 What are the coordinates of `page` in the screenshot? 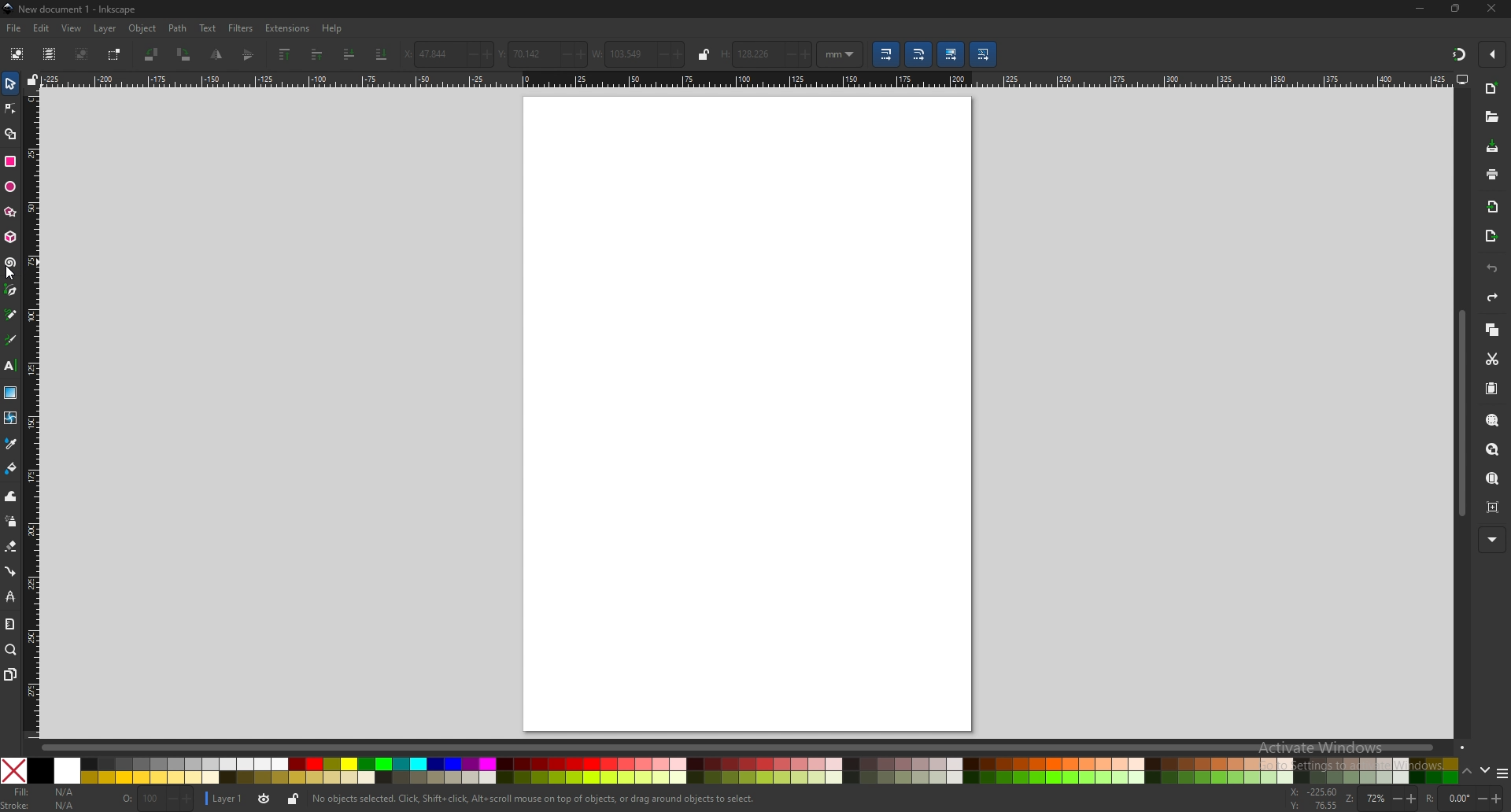 It's located at (744, 412).